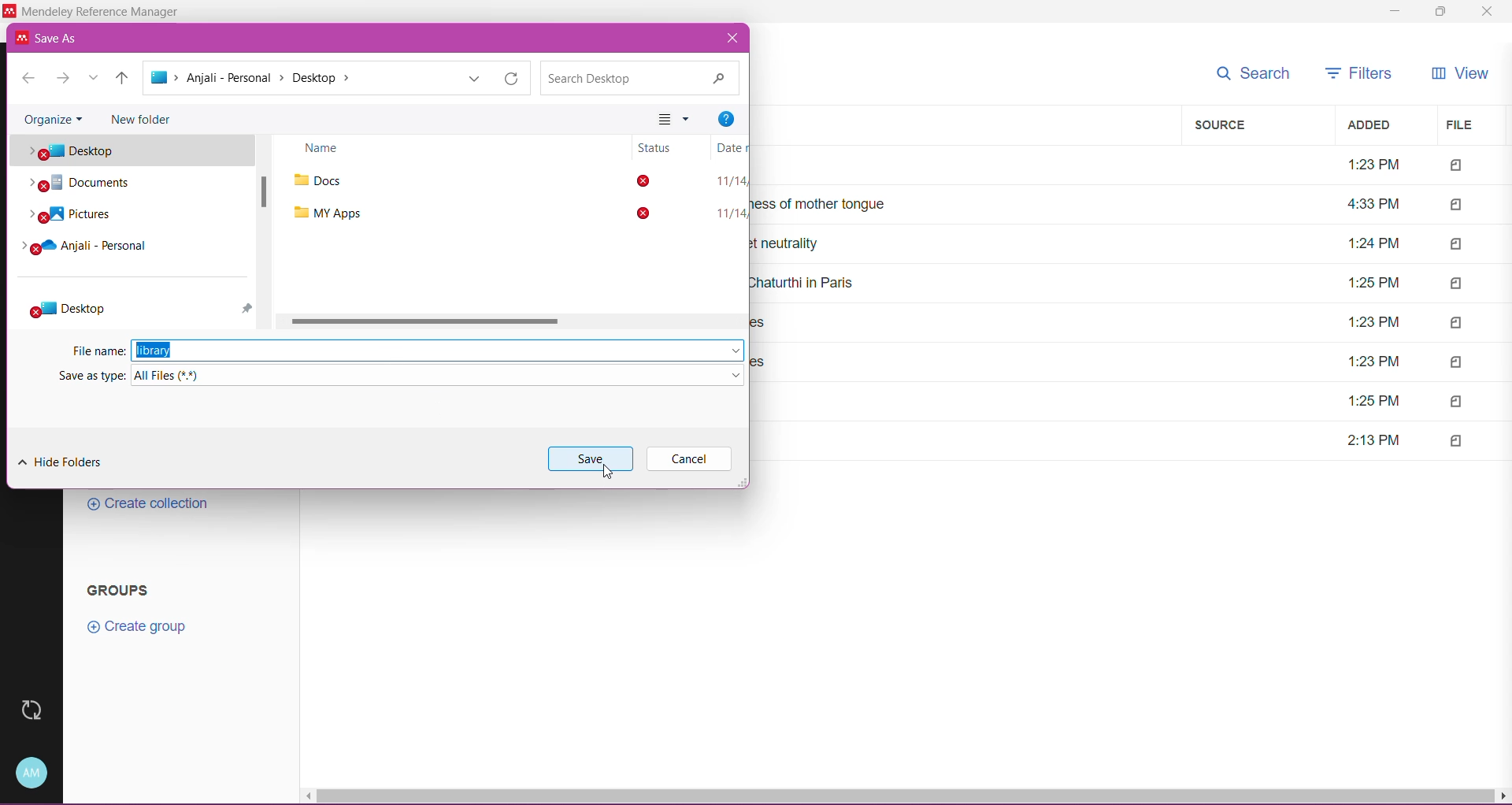  I want to click on Documents, so click(101, 184).